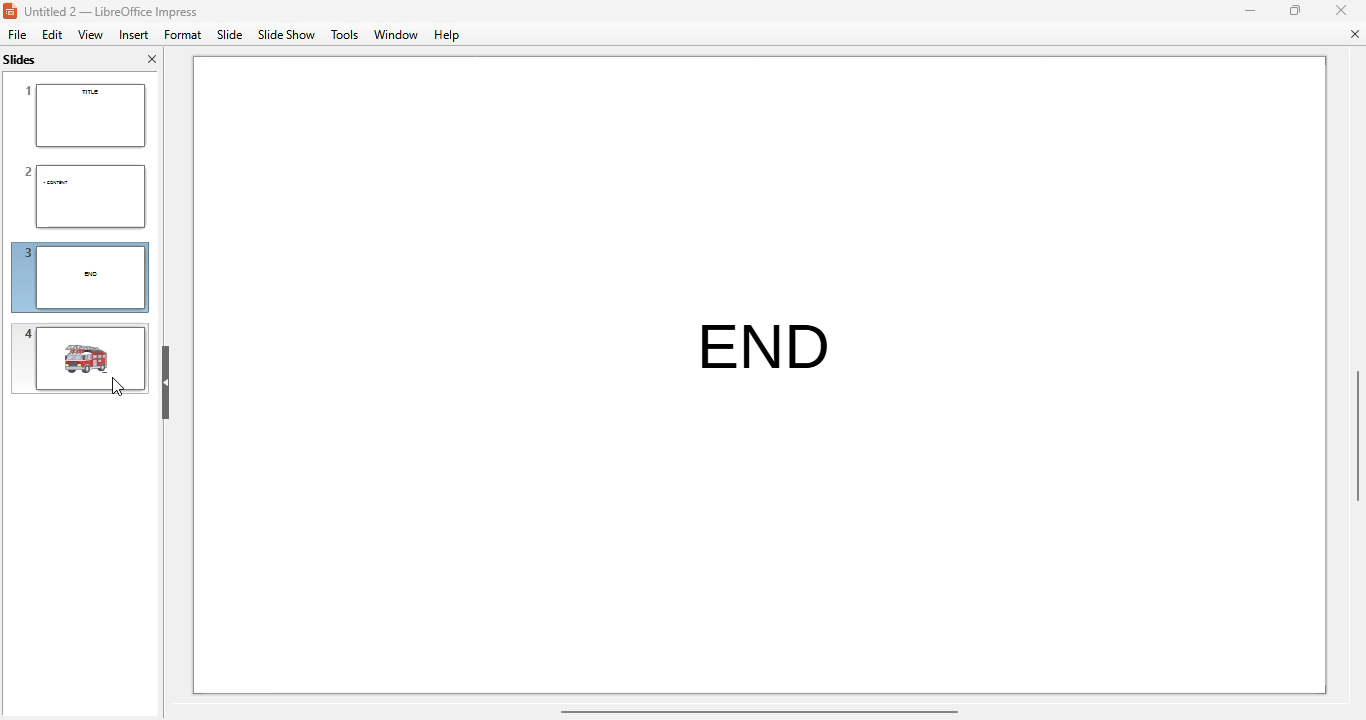 The image size is (1366, 720). What do you see at coordinates (396, 35) in the screenshot?
I see `window` at bounding box center [396, 35].